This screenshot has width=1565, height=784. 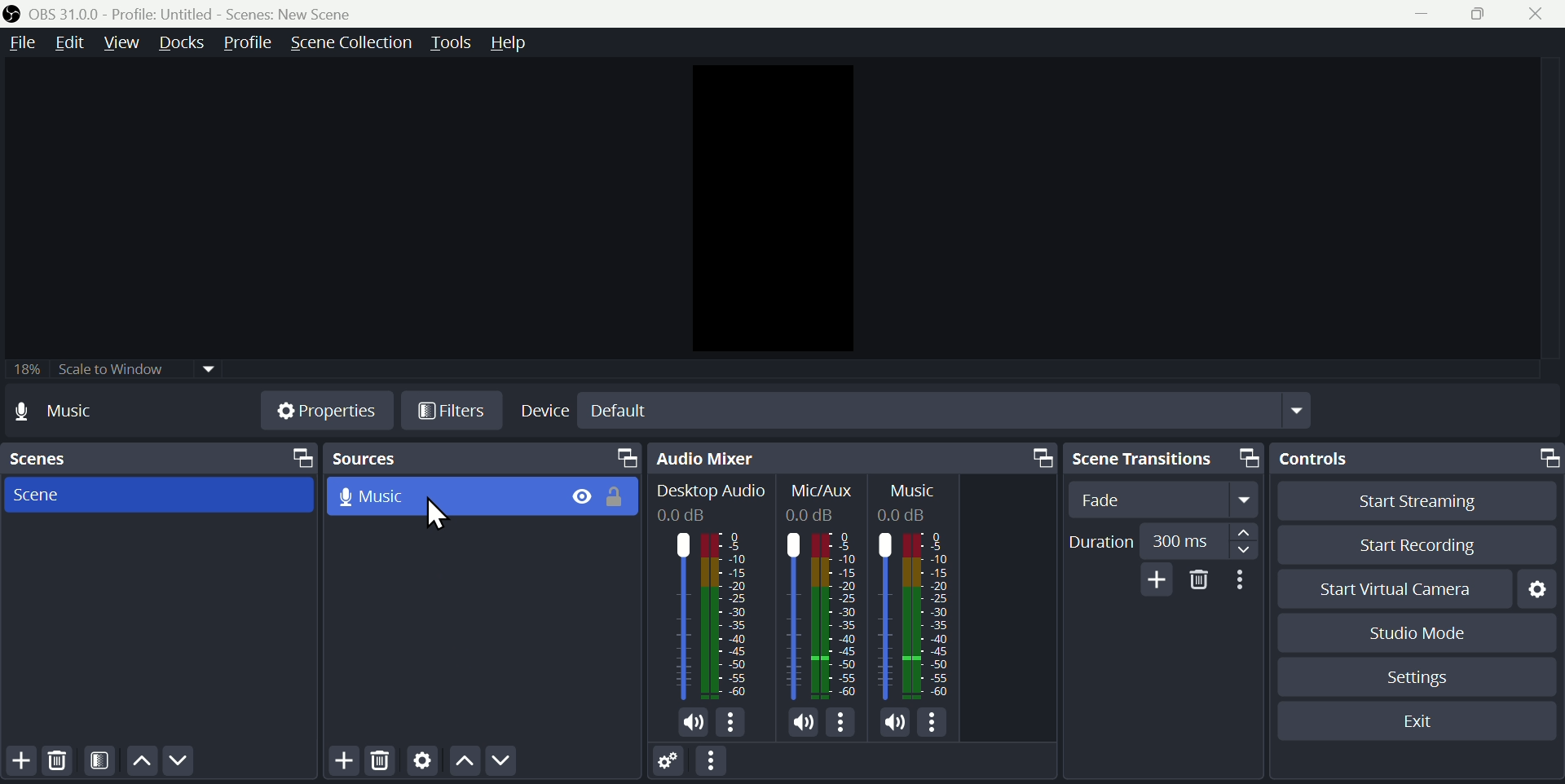 I want to click on duration, so click(x=1162, y=542).